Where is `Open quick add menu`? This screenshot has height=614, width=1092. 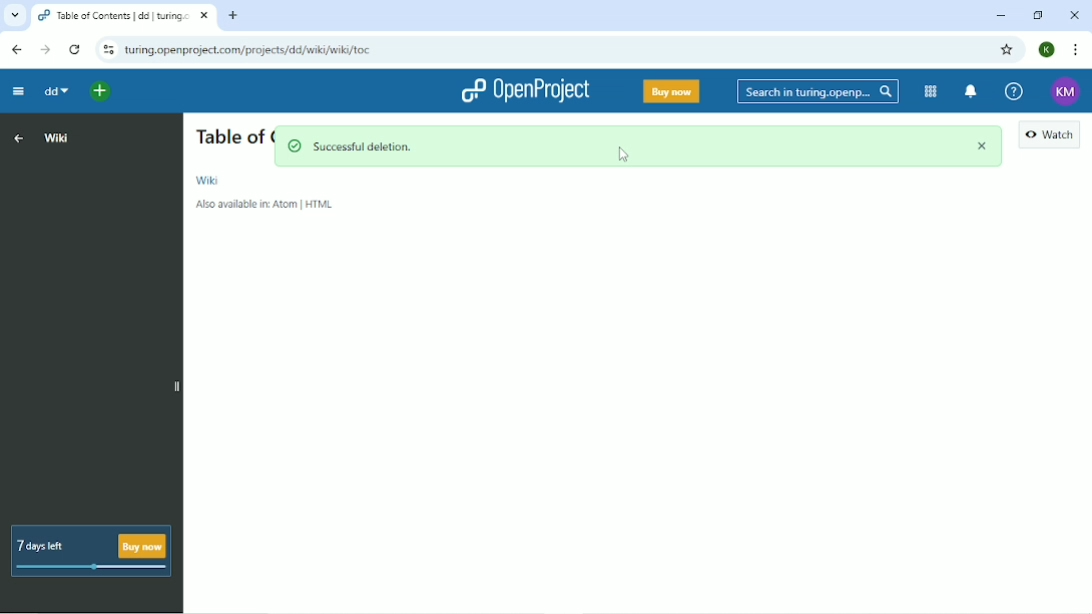
Open quick add menu is located at coordinates (95, 94).